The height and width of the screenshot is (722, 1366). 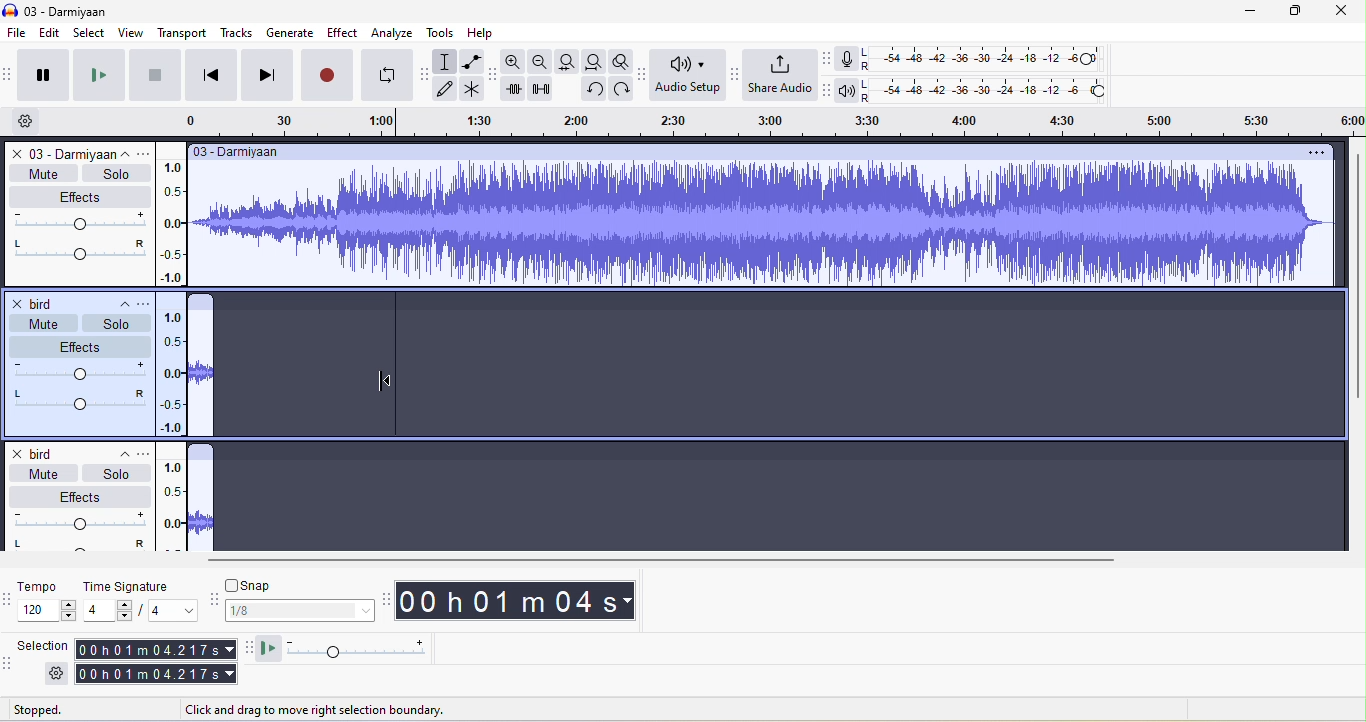 I want to click on solo, so click(x=114, y=174).